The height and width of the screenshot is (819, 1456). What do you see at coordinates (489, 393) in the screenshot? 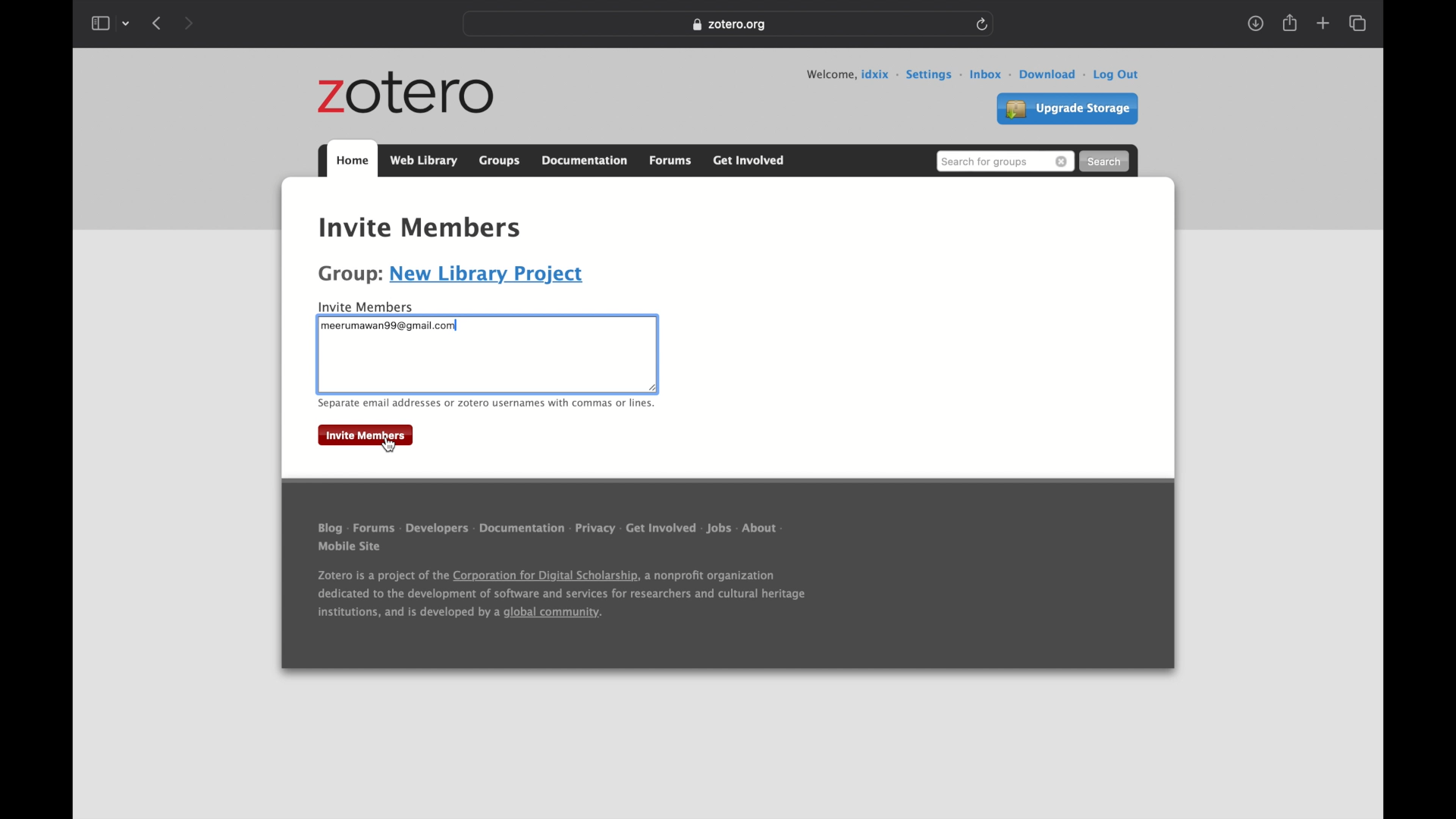
I see `textbox boundary highlighted` at bounding box center [489, 393].